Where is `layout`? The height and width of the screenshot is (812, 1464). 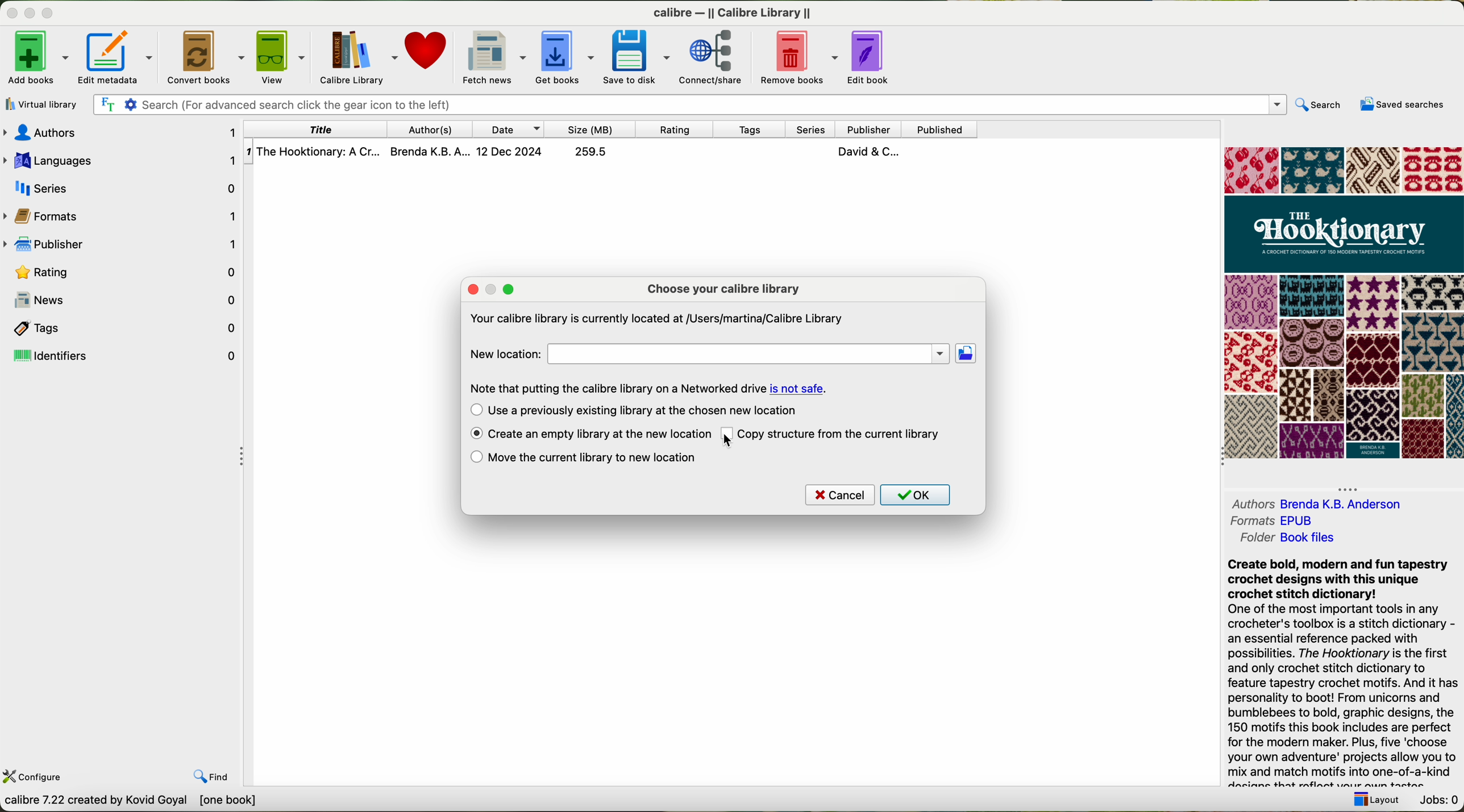
layout is located at coordinates (1379, 801).